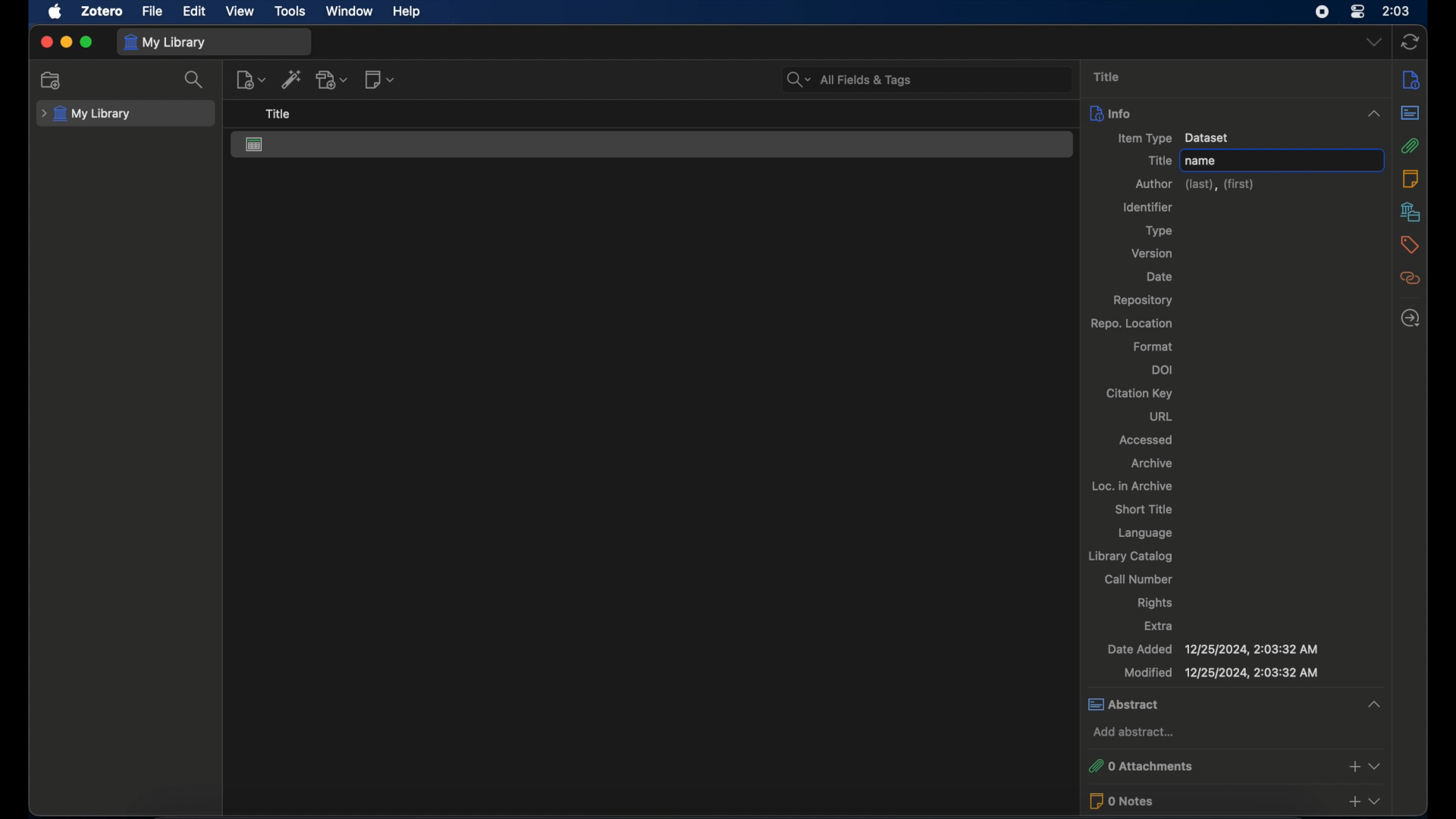  Describe the element at coordinates (1410, 212) in the screenshot. I see `libraries` at that location.